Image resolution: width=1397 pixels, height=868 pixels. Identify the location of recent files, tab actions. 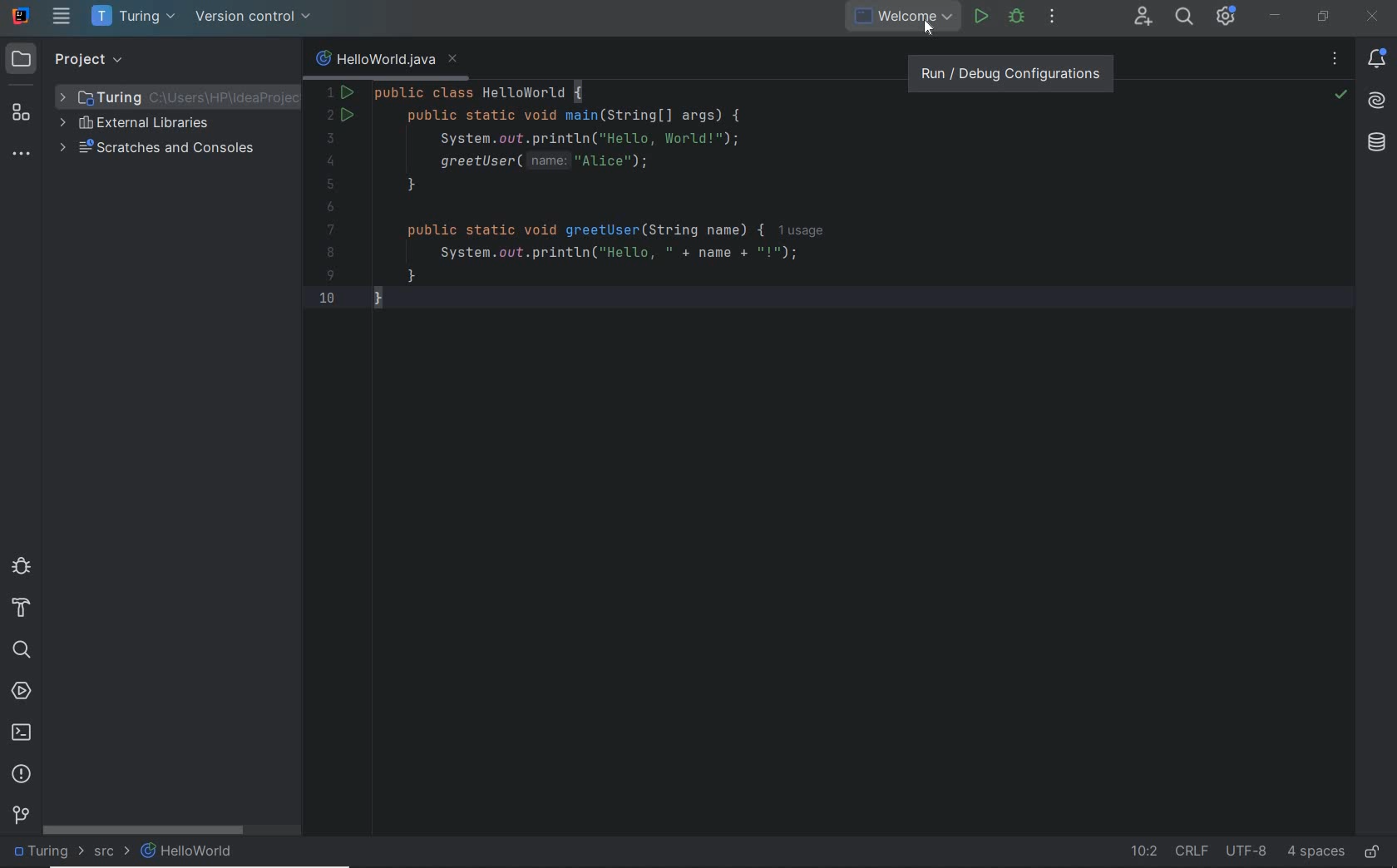
(1335, 62).